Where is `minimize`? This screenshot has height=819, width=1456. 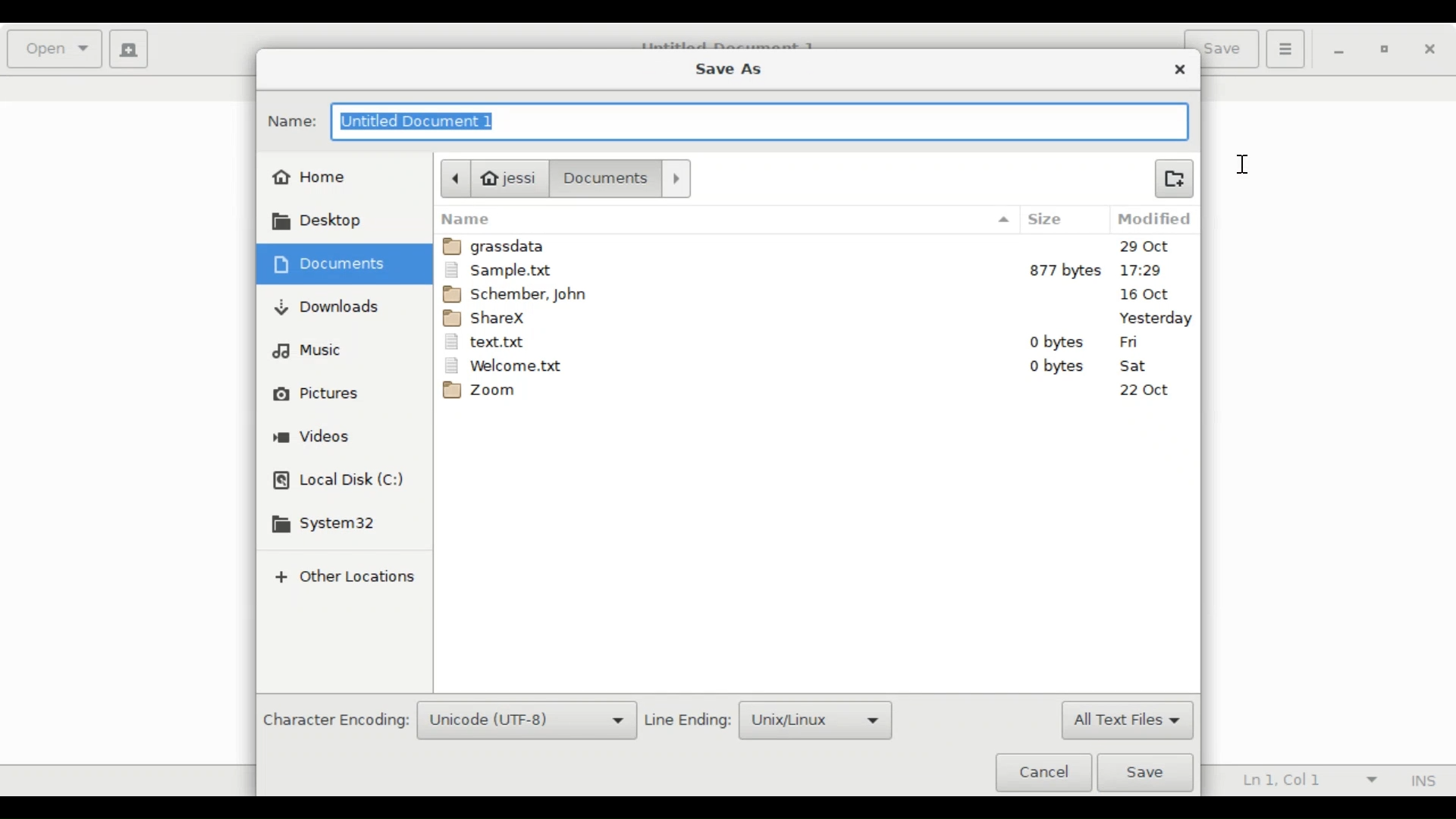
minimize is located at coordinates (1341, 51).